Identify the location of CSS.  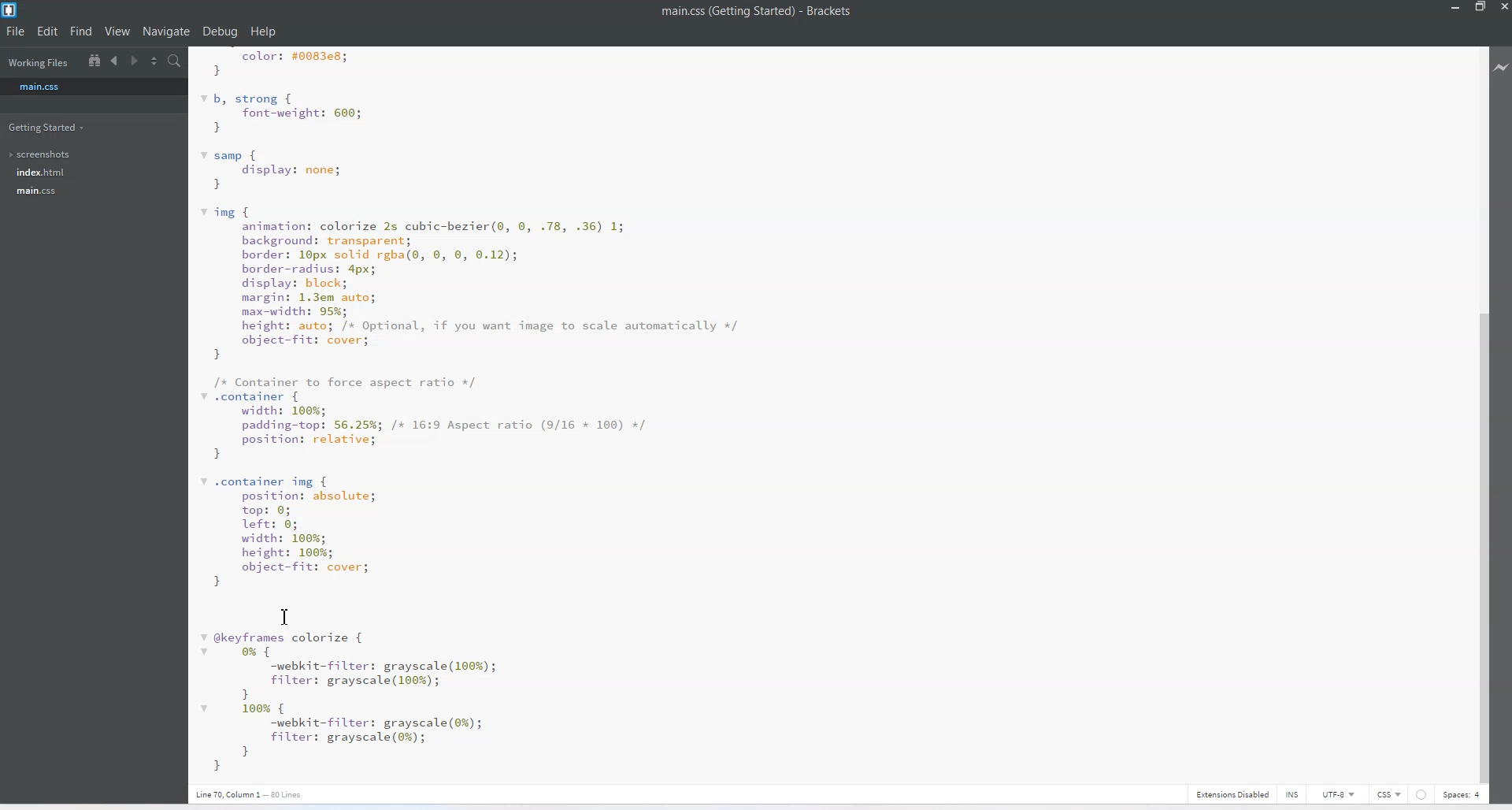
(1389, 793).